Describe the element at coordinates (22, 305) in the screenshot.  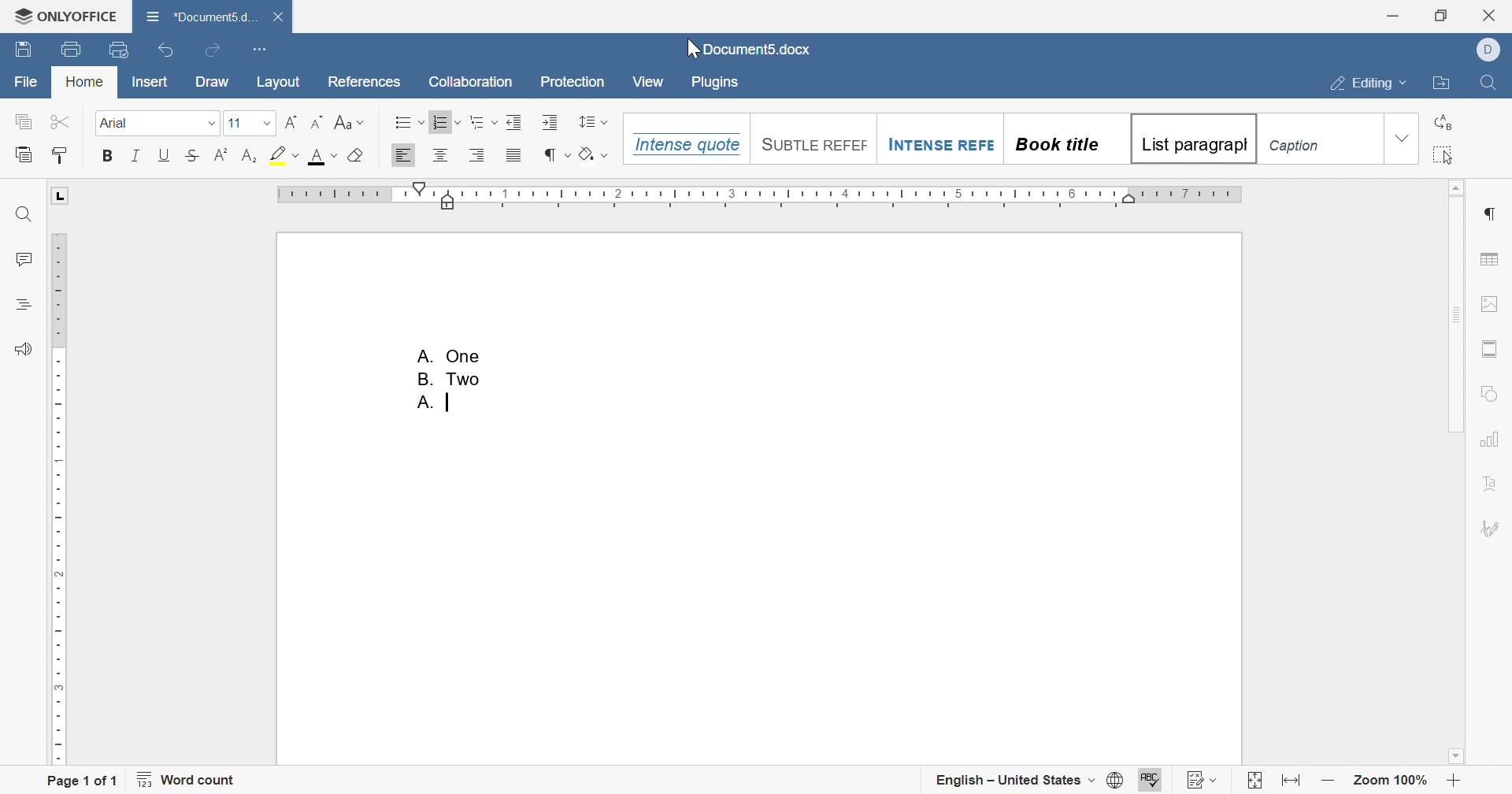
I see `headings` at that location.